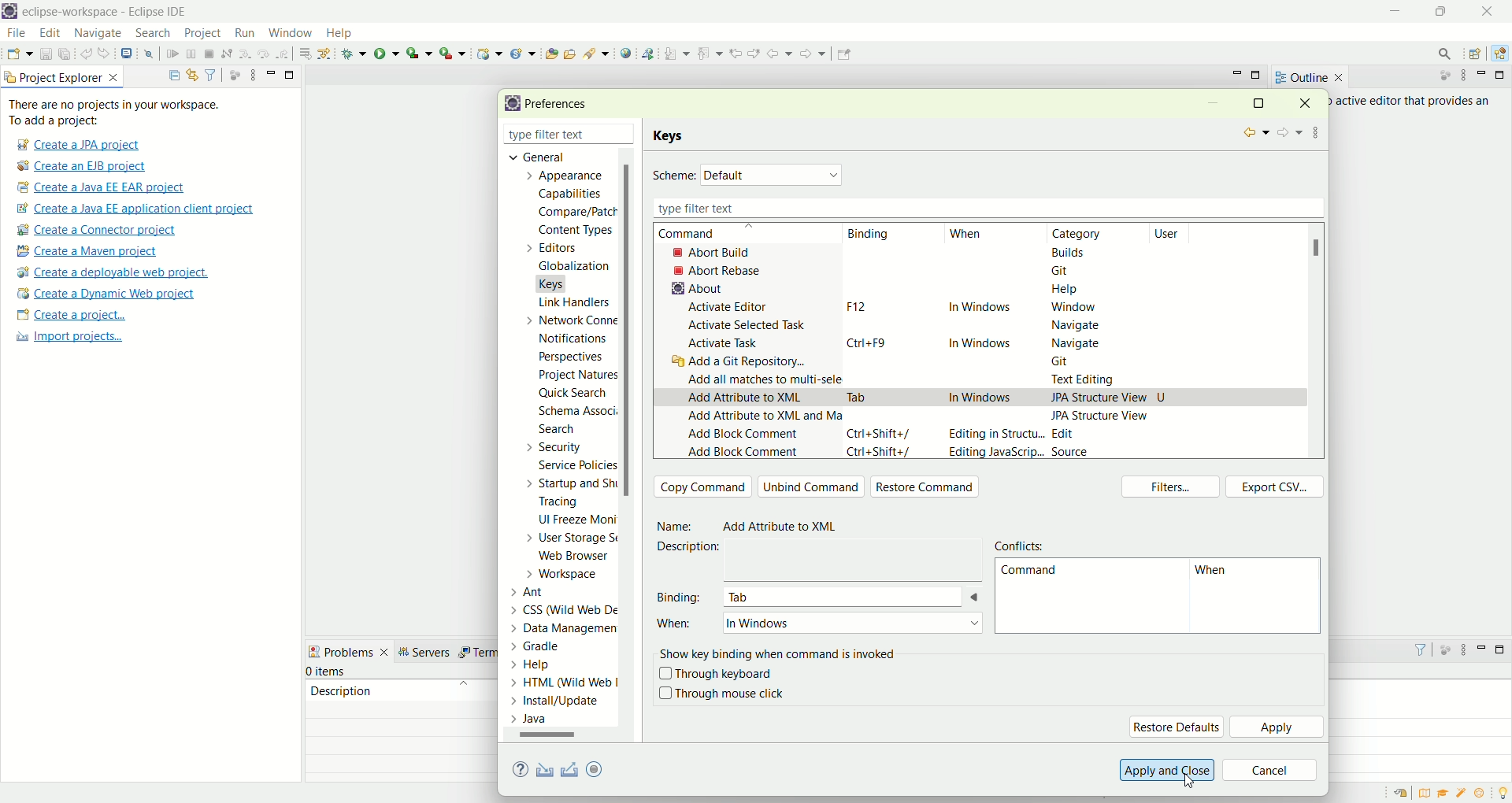 This screenshot has height=803, width=1512. What do you see at coordinates (1017, 453) in the screenshot?
I see `editing javascript...Source` at bounding box center [1017, 453].